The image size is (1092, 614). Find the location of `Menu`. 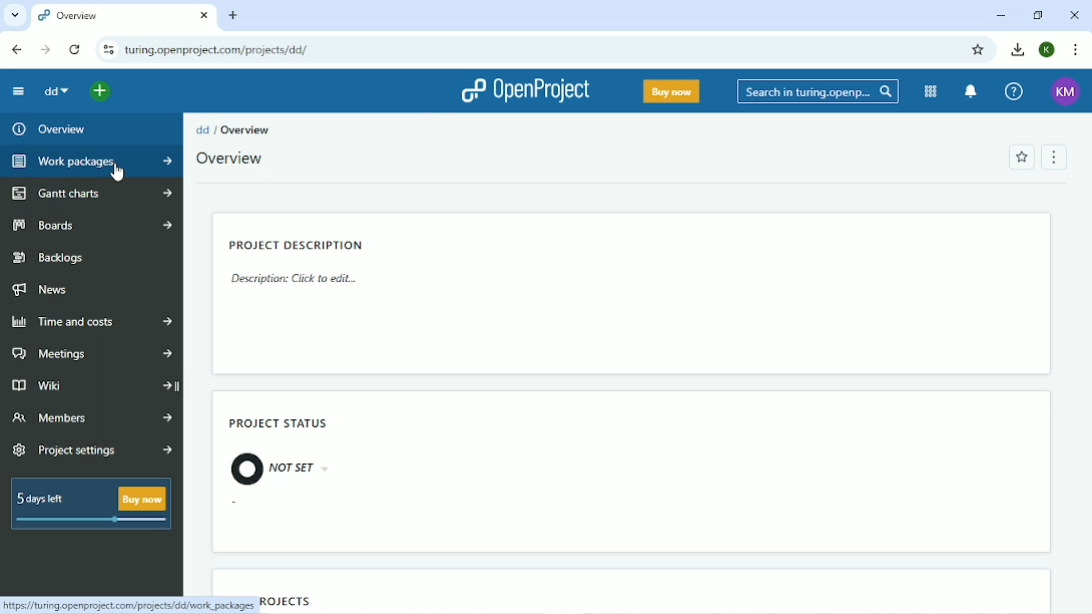

Menu is located at coordinates (1056, 158).